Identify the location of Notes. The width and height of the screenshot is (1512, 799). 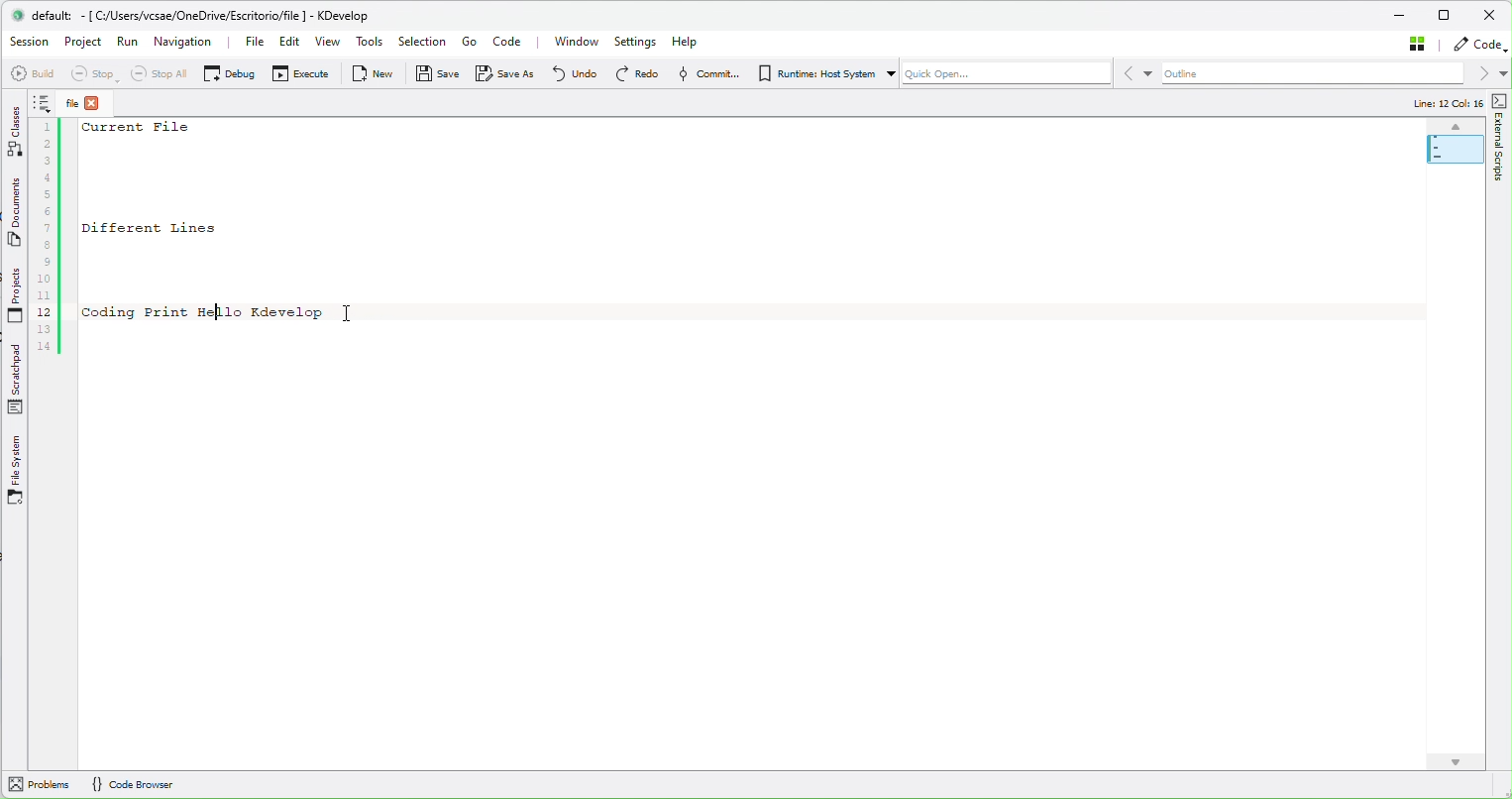
(46, 100).